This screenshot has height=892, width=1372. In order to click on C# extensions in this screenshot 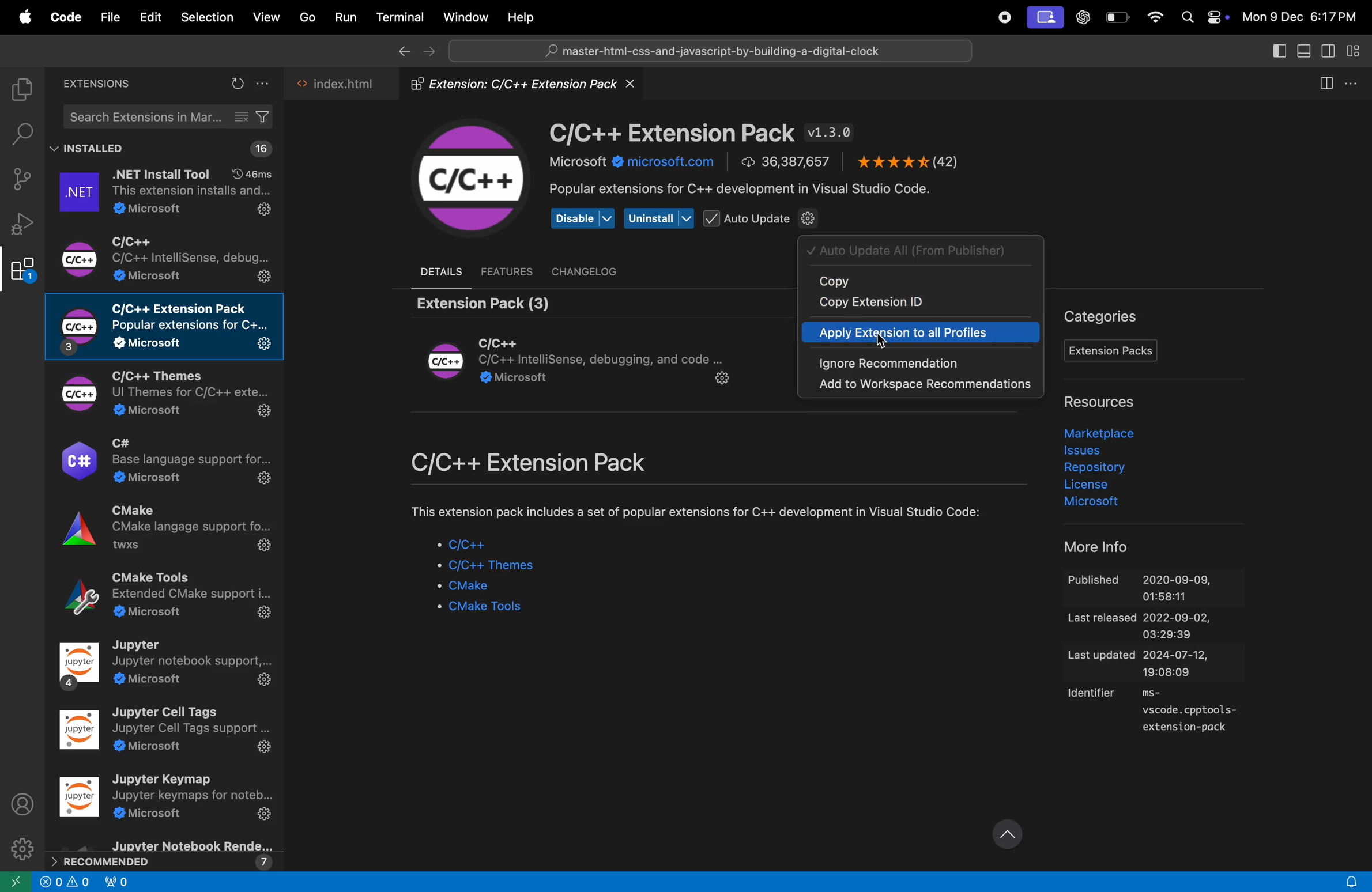, I will do `click(164, 462)`.